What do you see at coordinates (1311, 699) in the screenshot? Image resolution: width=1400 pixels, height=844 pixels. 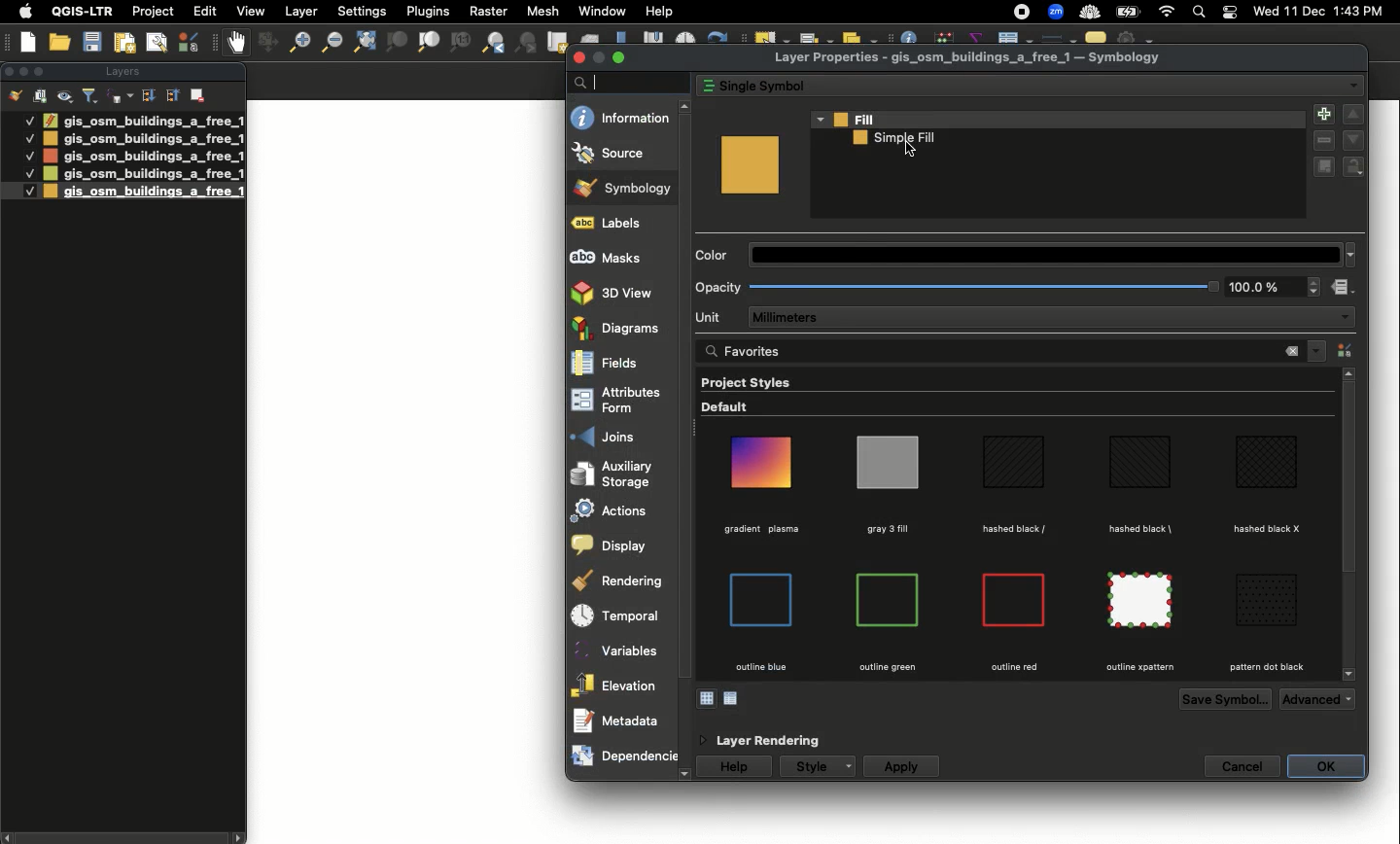 I see `Advanced` at bounding box center [1311, 699].